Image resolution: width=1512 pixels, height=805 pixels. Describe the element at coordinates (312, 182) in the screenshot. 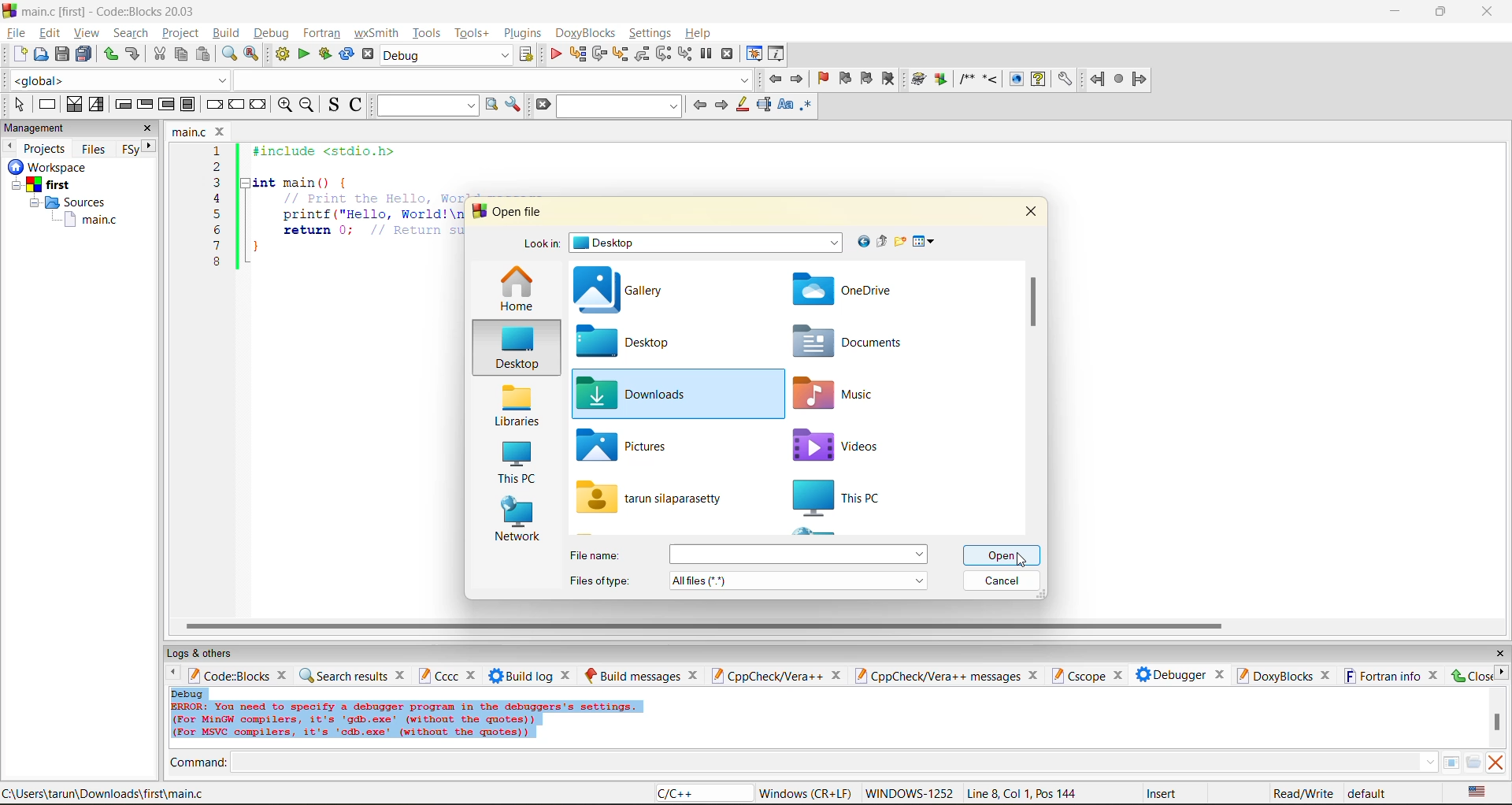

I see `int main(){` at that location.